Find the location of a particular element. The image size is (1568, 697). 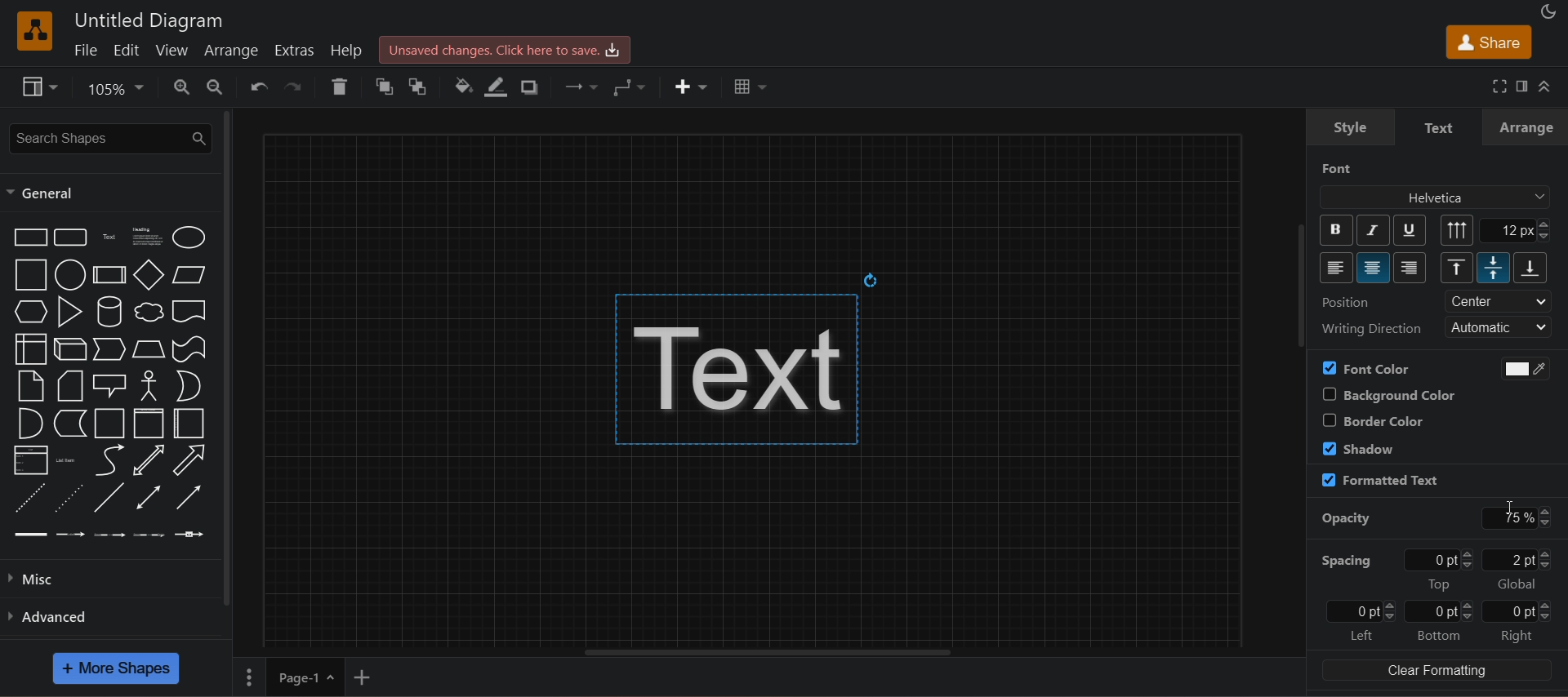

clear formatting is located at coordinates (1437, 670).